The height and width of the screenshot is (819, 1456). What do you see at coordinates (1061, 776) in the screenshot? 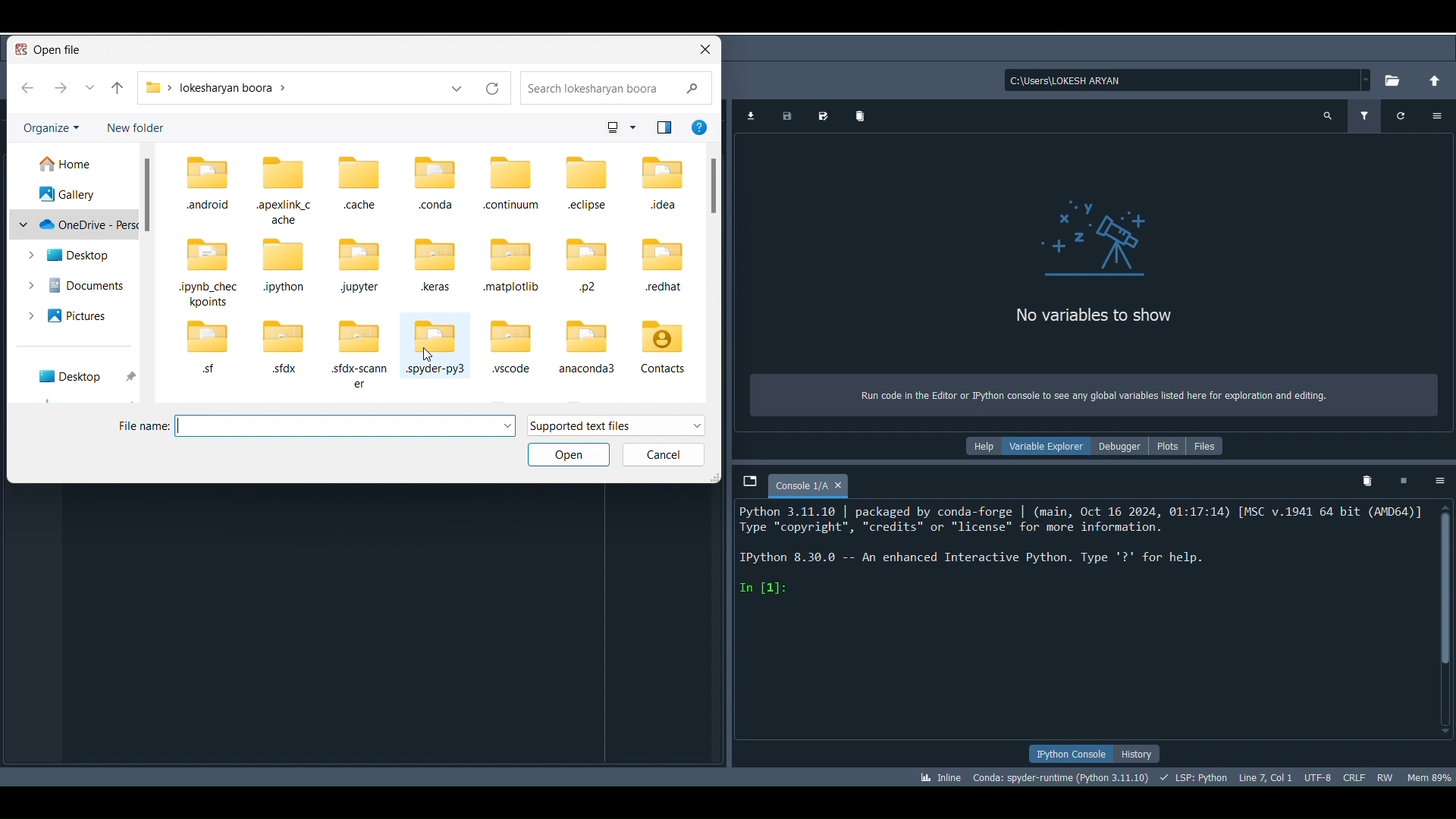
I see `Version` at bounding box center [1061, 776].